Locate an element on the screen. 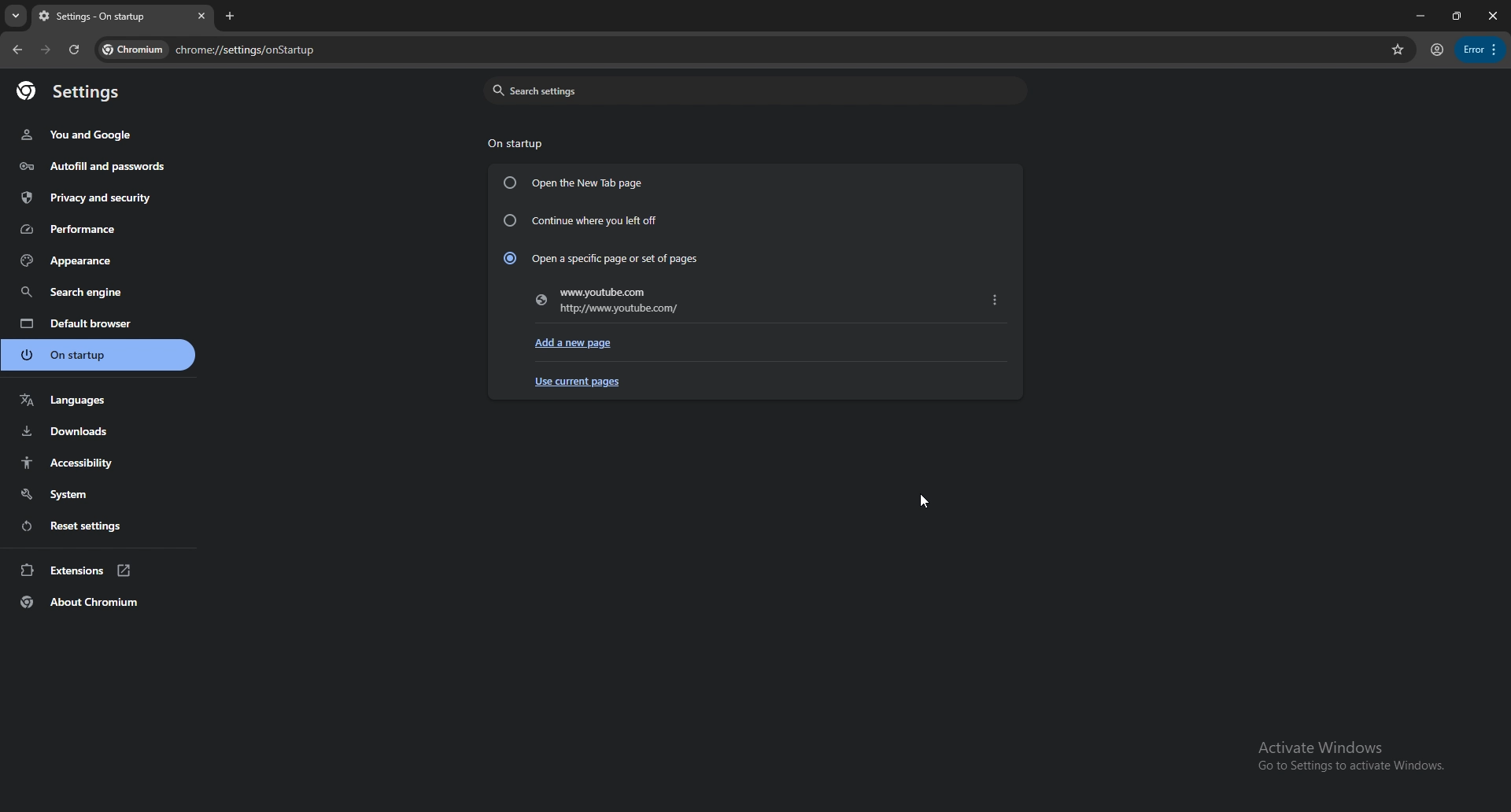  open a specific page or set of pages is located at coordinates (599, 257).